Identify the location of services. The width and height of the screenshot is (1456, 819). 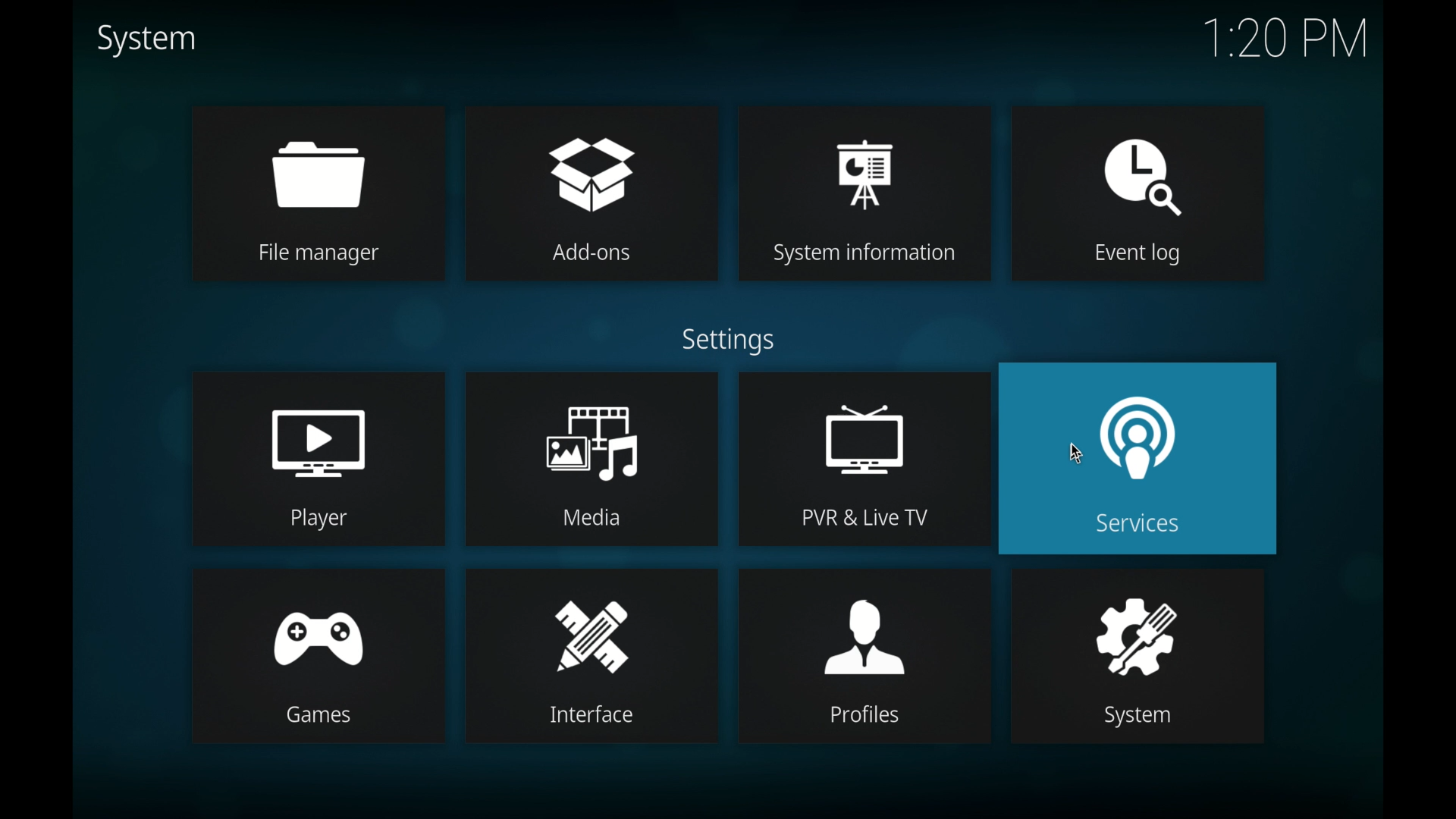
(1139, 458).